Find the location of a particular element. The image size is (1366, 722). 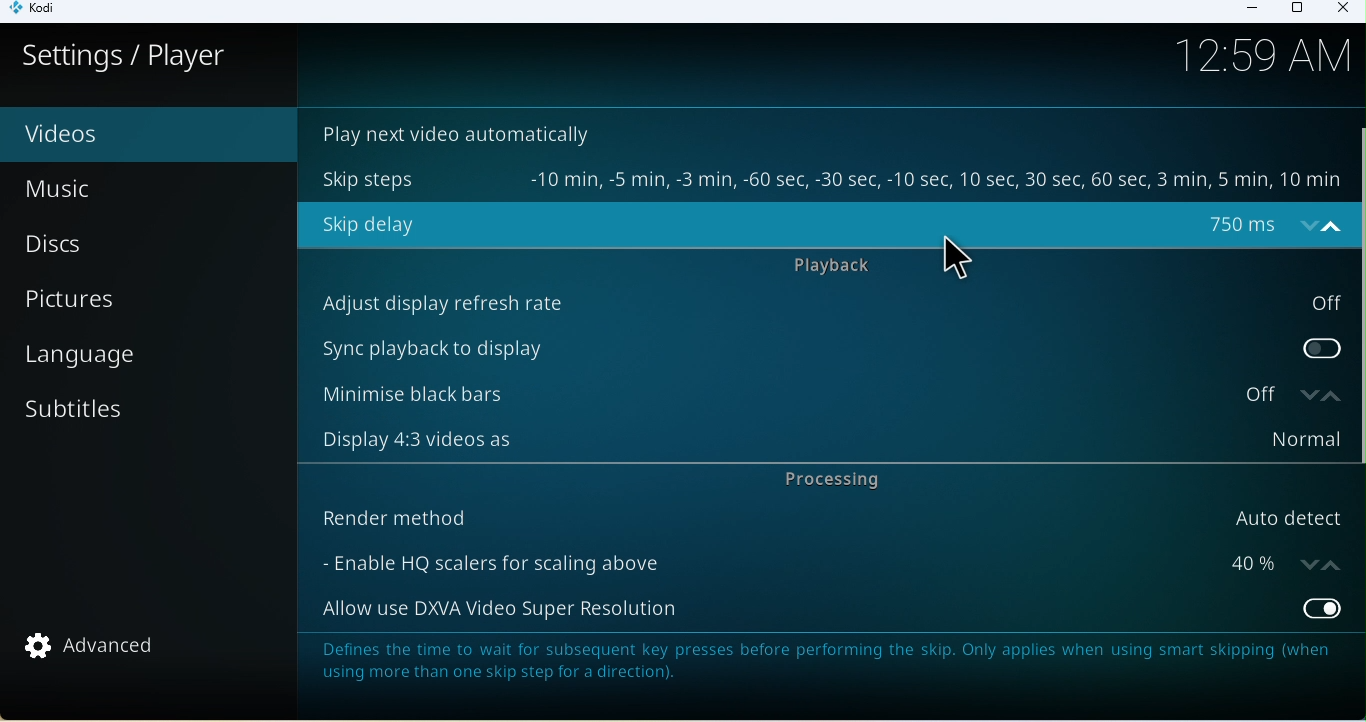

Render method is located at coordinates (827, 515).